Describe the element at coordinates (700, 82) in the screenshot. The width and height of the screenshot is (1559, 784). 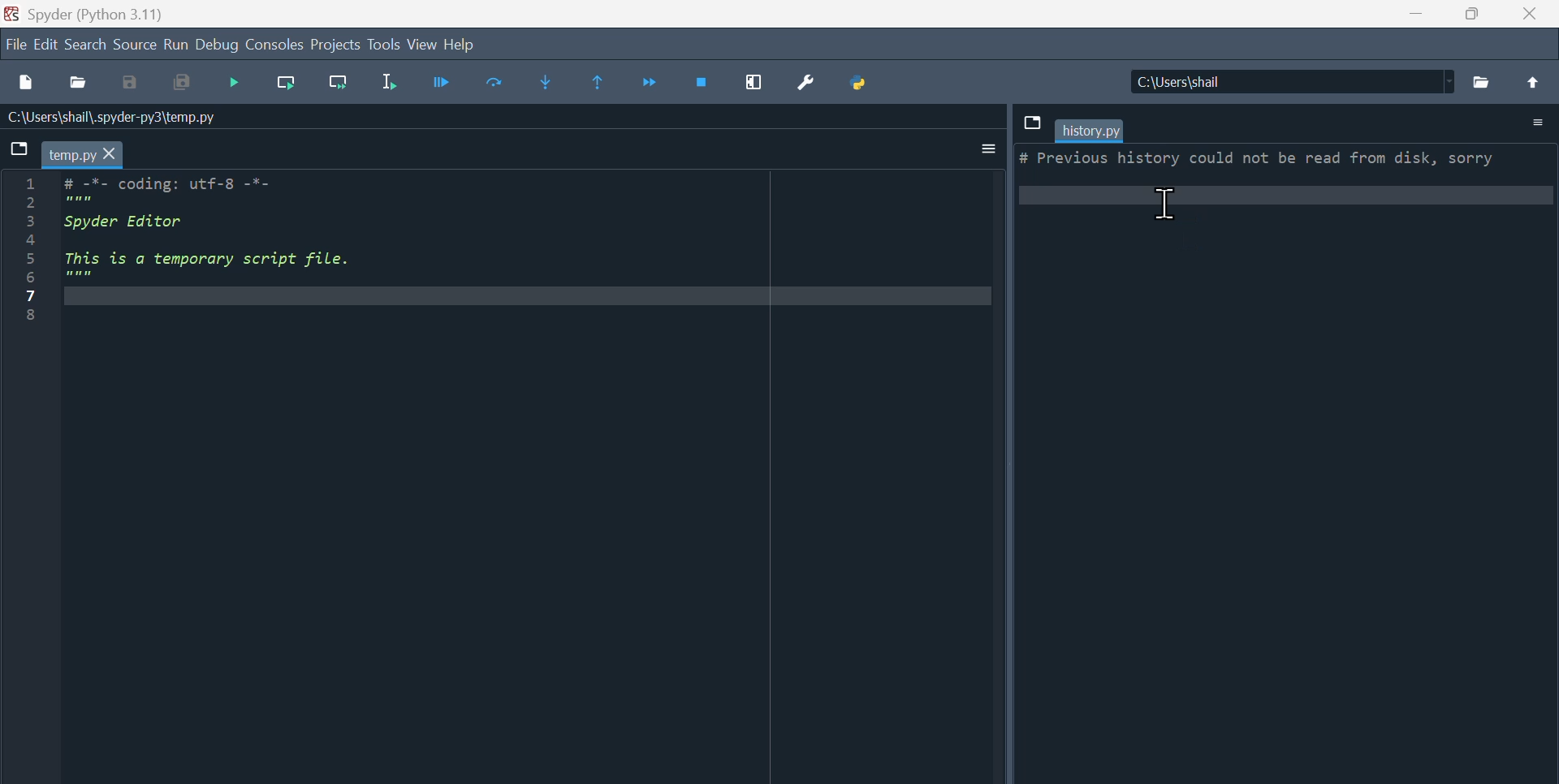
I see `Stop debugging` at that location.